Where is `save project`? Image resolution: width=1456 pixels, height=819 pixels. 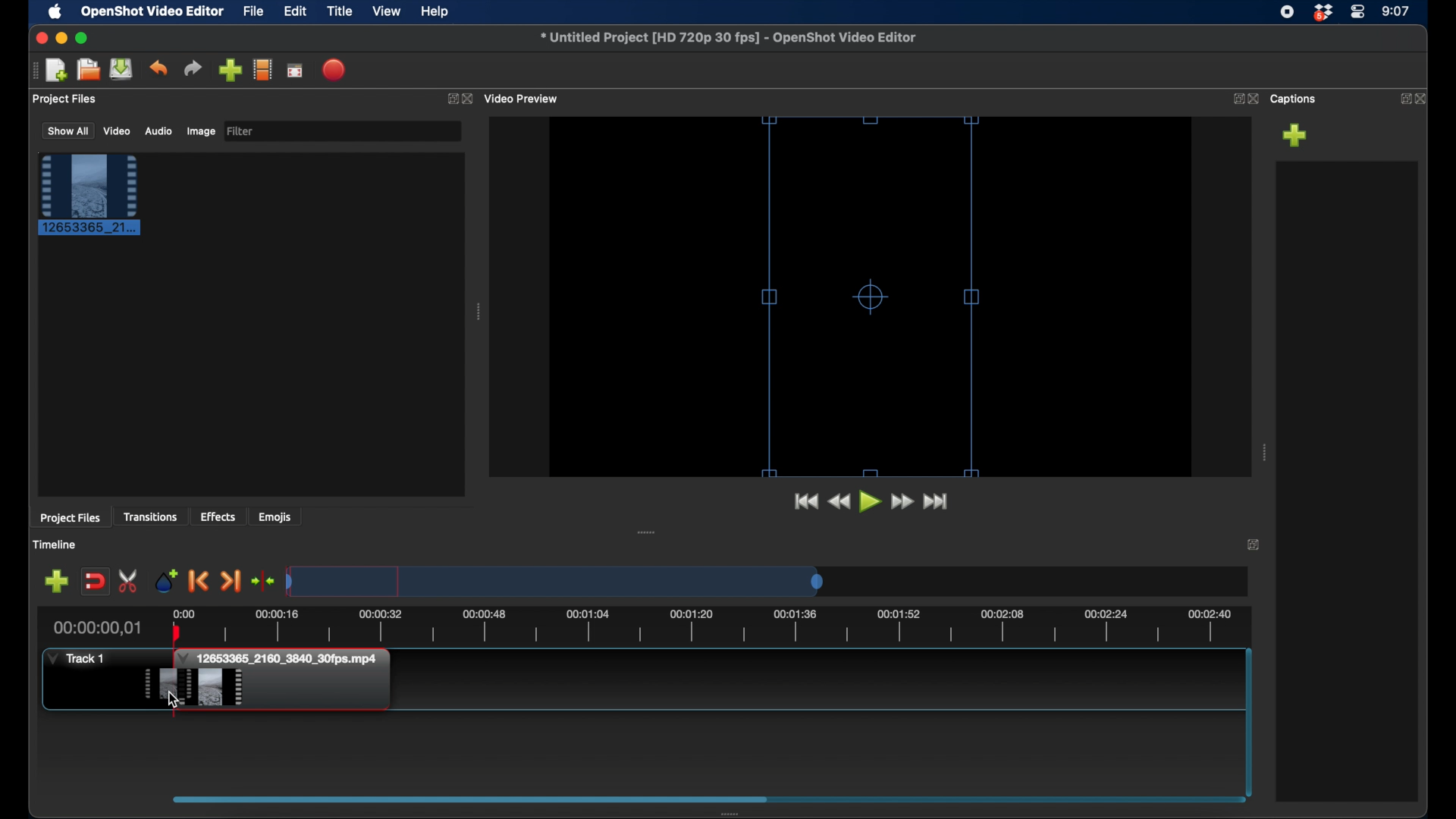 save project is located at coordinates (122, 70).